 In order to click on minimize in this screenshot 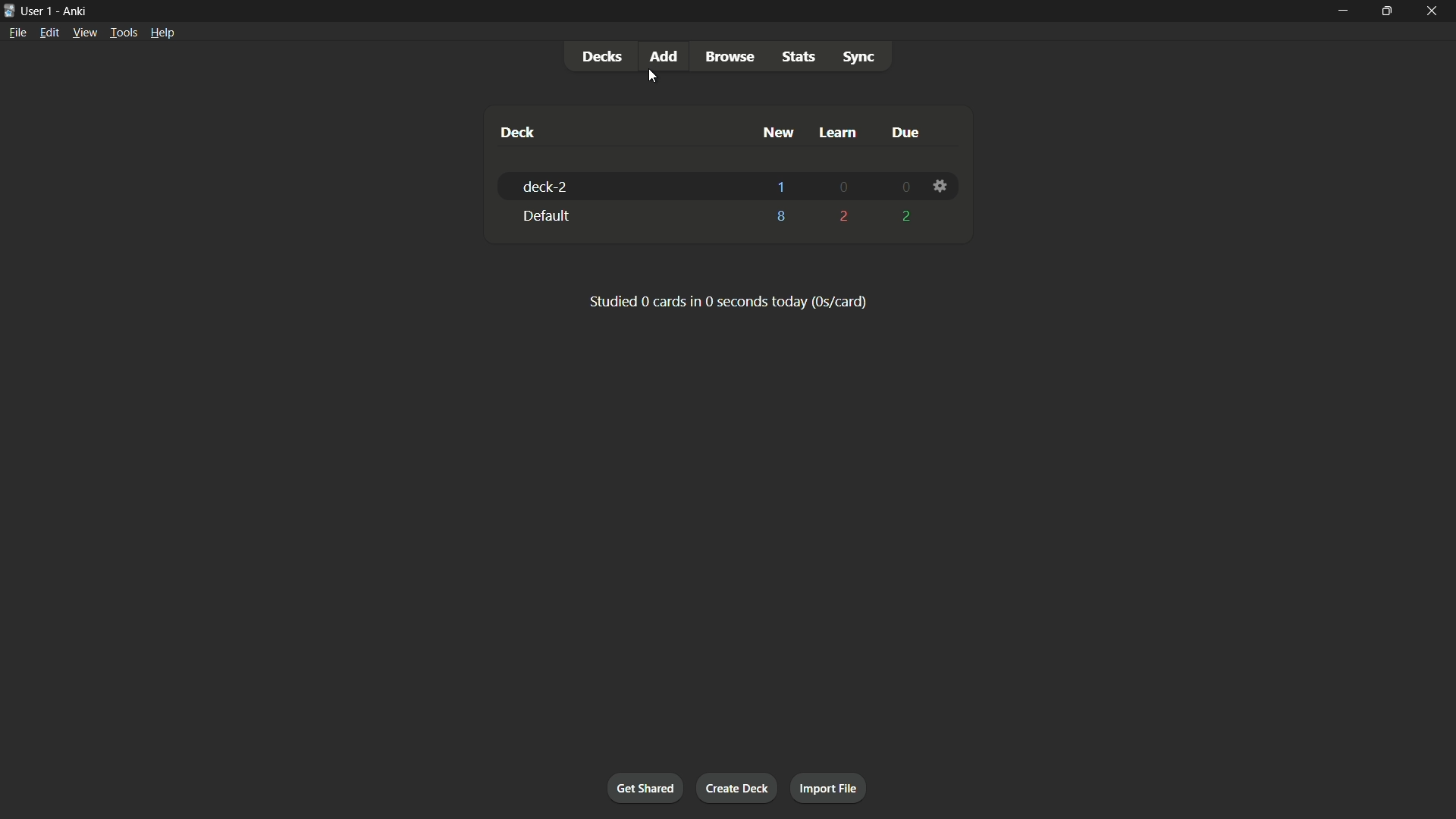, I will do `click(1345, 10)`.